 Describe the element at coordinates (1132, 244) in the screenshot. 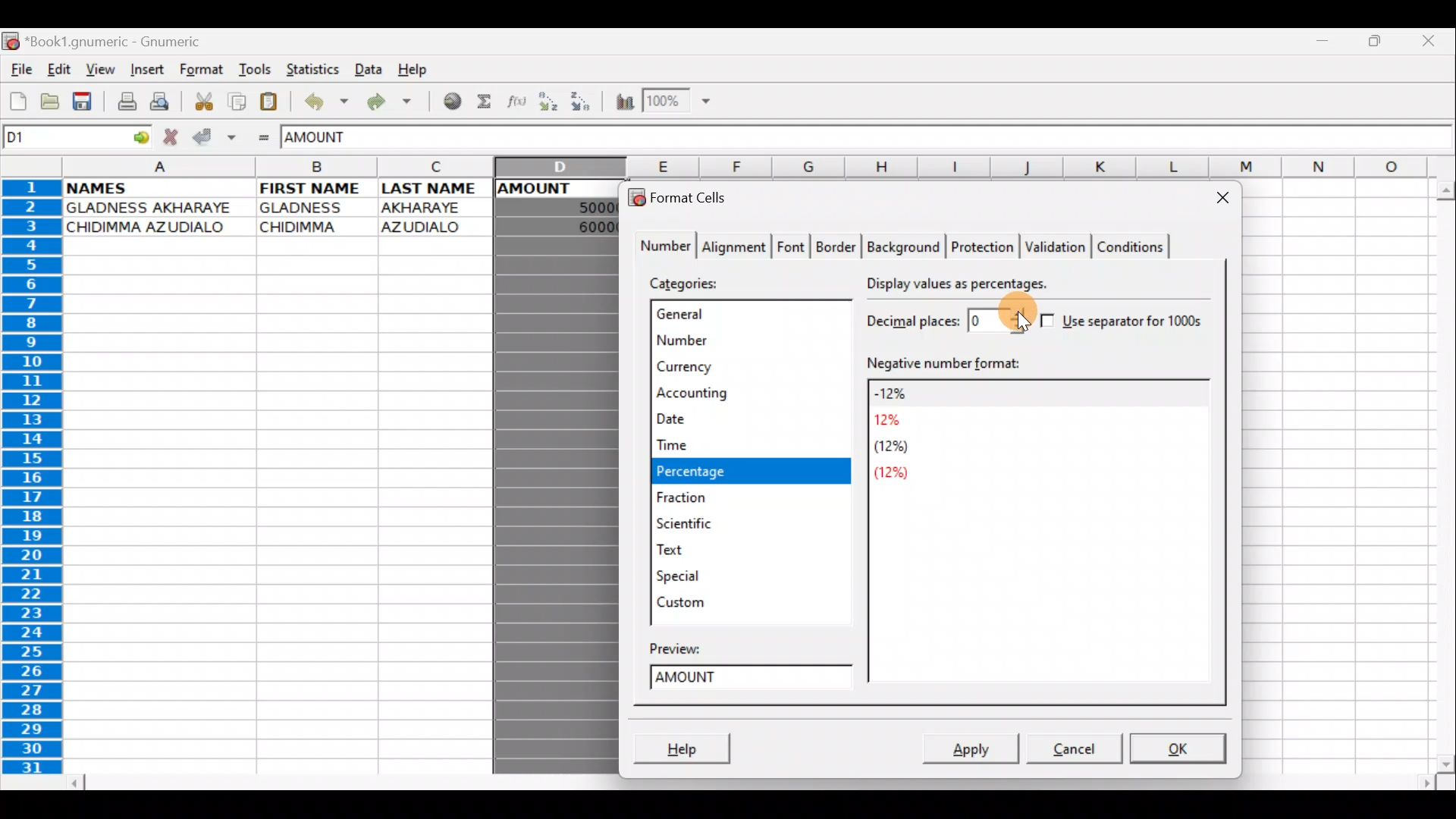

I see `Conditions` at that location.